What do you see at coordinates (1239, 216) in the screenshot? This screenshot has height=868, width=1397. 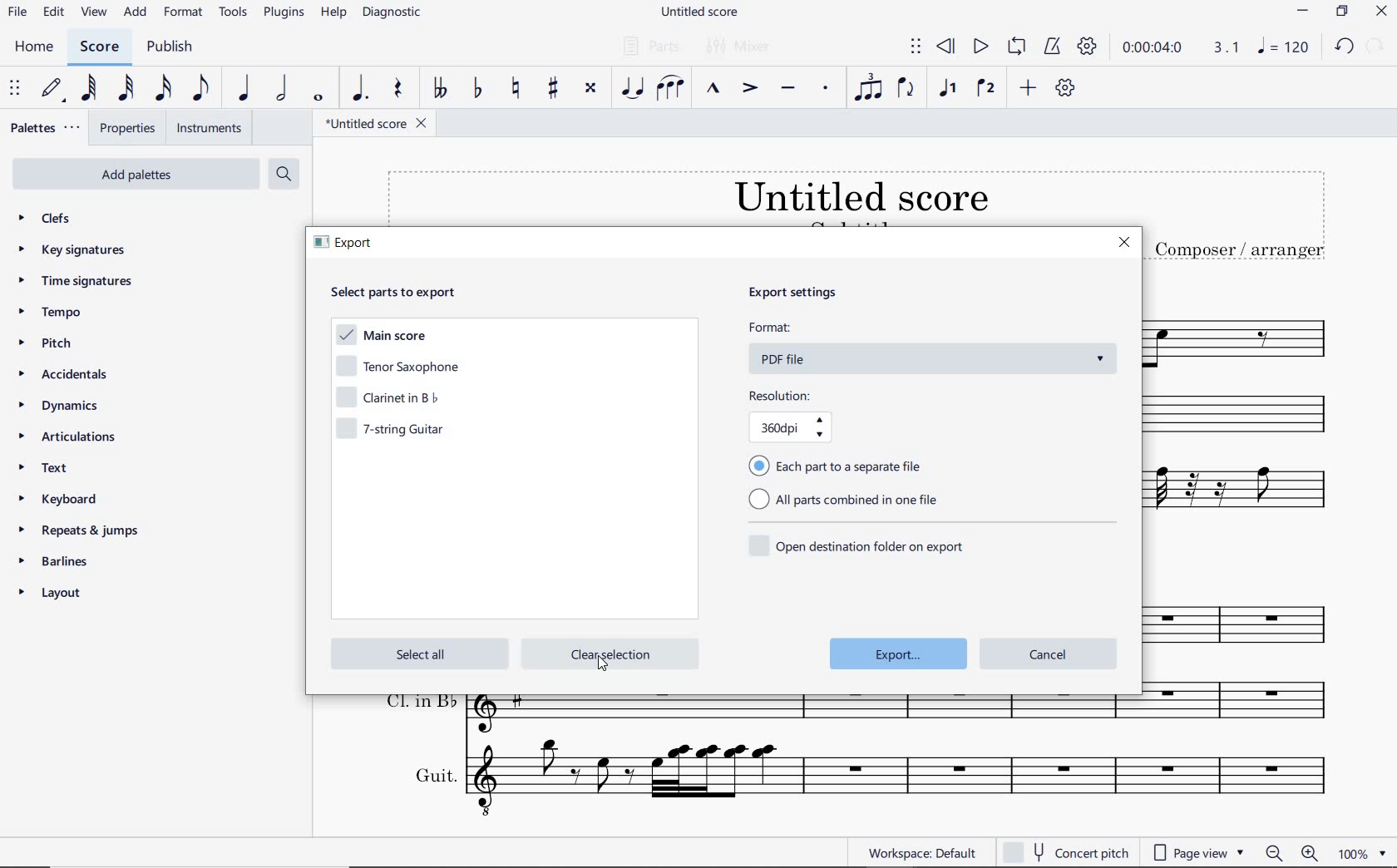 I see `TITLE` at bounding box center [1239, 216].